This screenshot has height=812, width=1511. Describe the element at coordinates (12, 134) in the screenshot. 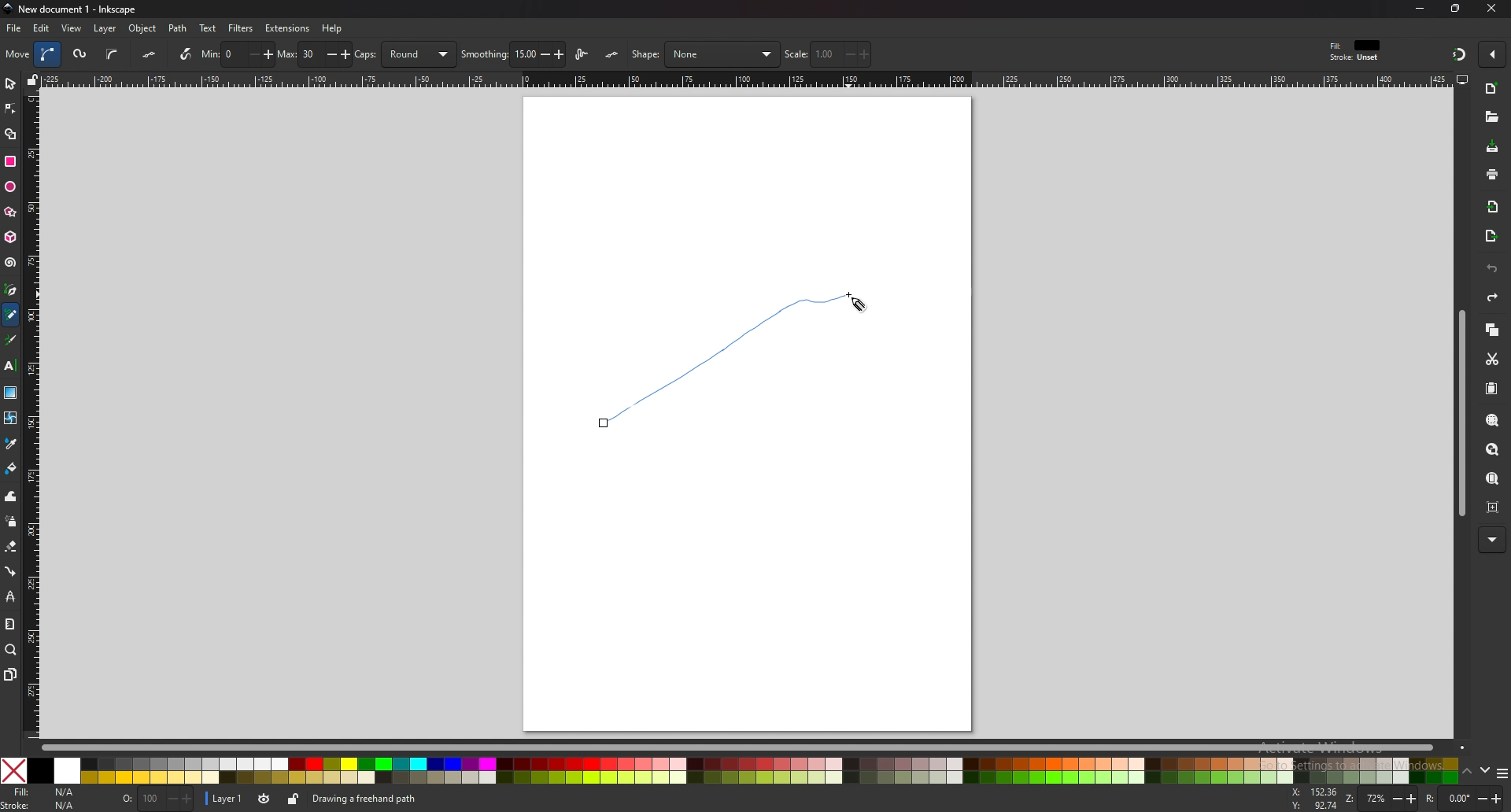

I see `shape builder` at that location.